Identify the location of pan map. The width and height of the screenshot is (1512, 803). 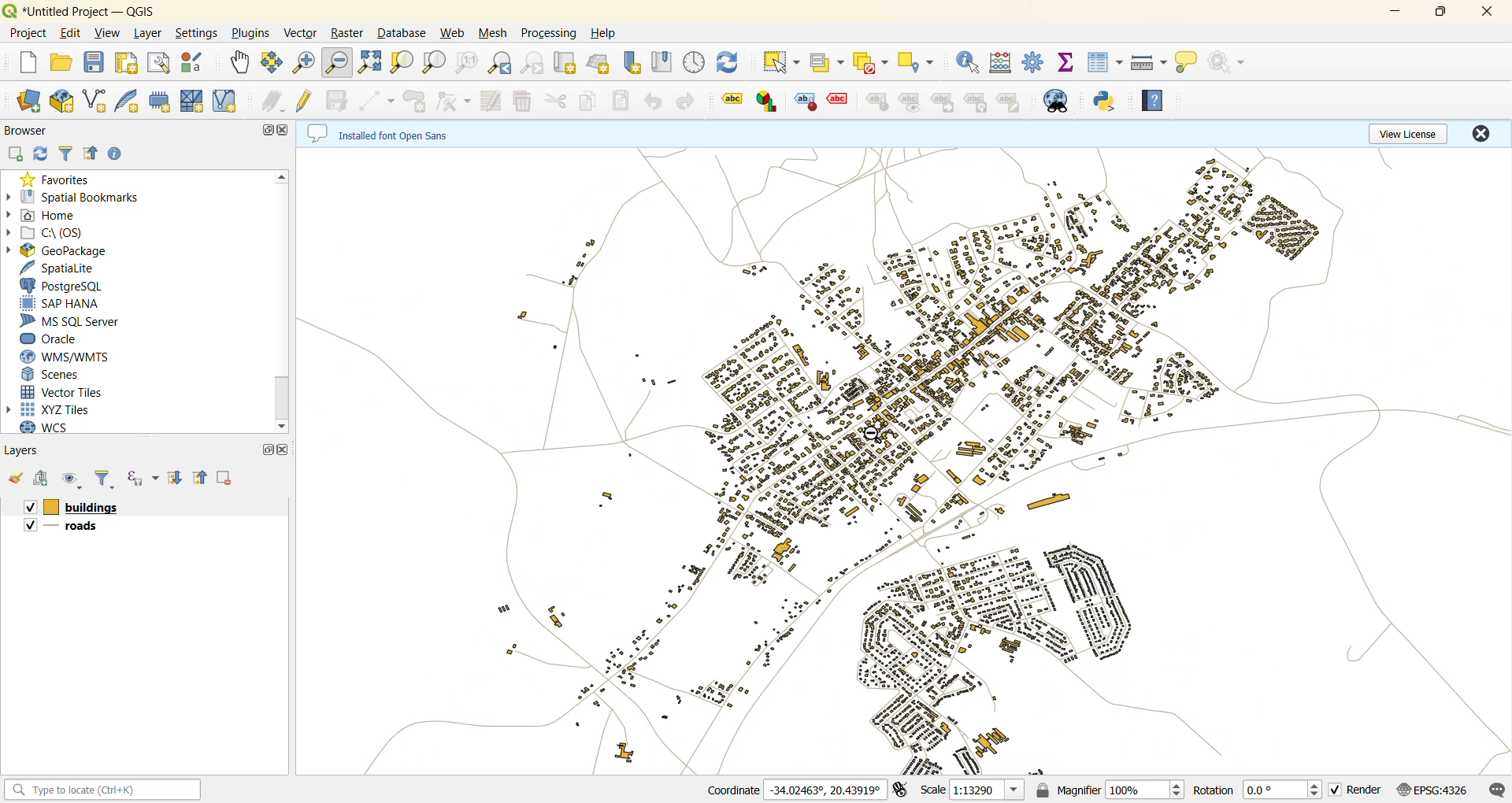
(239, 63).